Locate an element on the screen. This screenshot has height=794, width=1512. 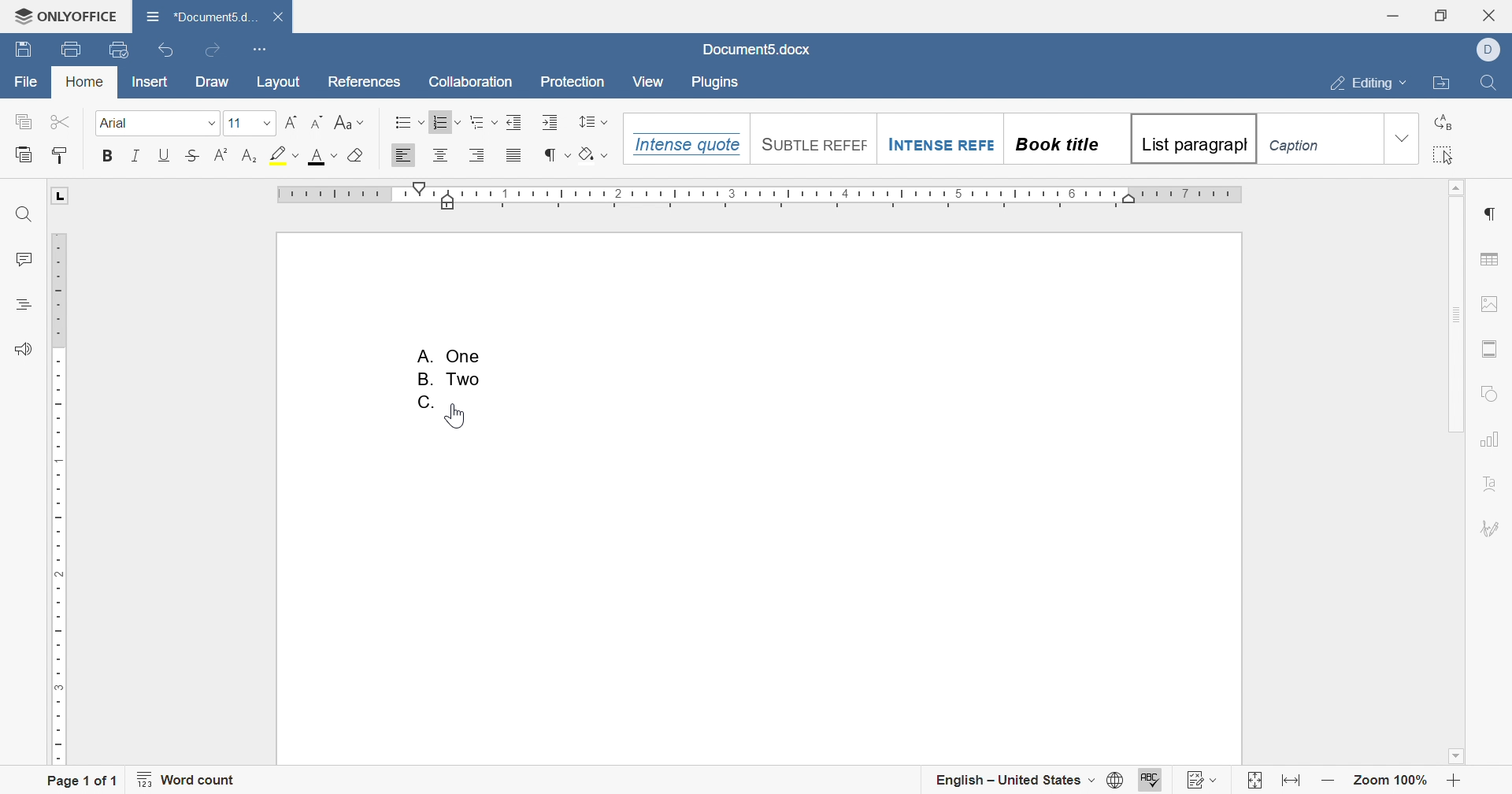
ruler is located at coordinates (61, 499).